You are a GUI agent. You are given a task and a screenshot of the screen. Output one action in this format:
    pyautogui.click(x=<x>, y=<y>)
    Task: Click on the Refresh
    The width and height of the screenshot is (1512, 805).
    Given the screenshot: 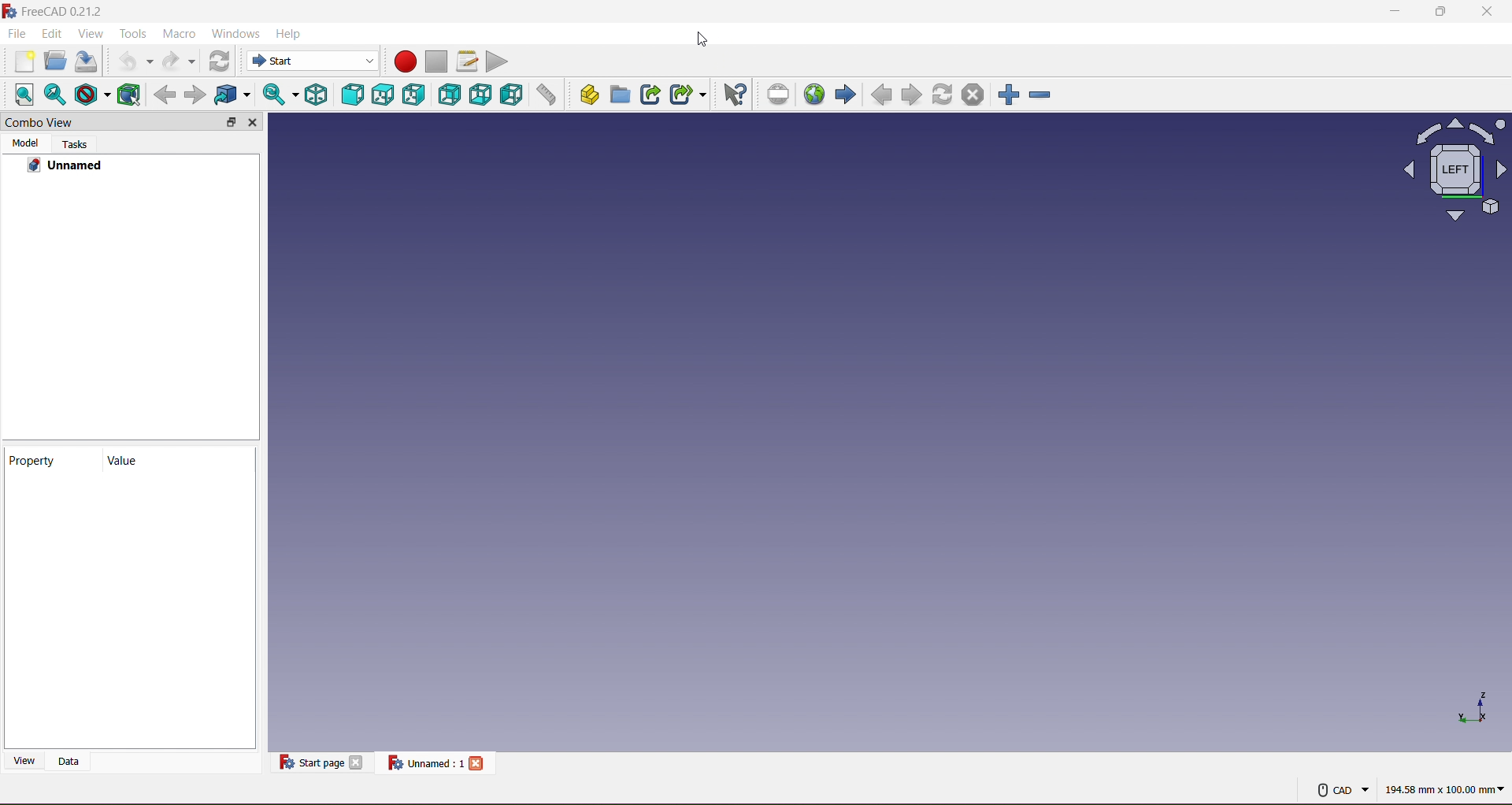 What is the action you would take?
    pyautogui.click(x=943, y=94)
    